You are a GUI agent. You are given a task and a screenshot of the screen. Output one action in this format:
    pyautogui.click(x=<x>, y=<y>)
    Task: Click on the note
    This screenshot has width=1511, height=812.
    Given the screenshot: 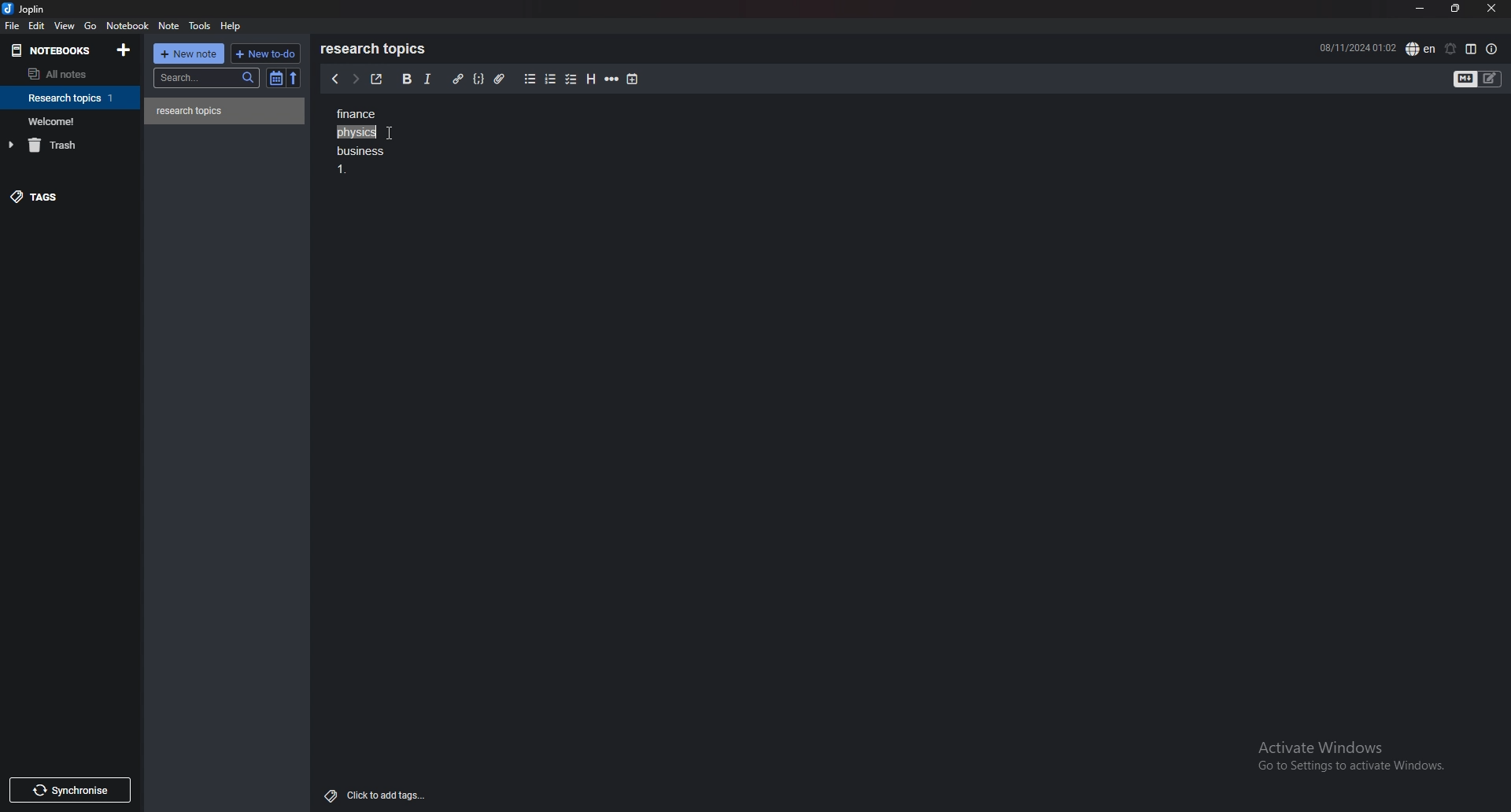 What is the action you would take?
    pyautogui.click(x=168, y=26)
    